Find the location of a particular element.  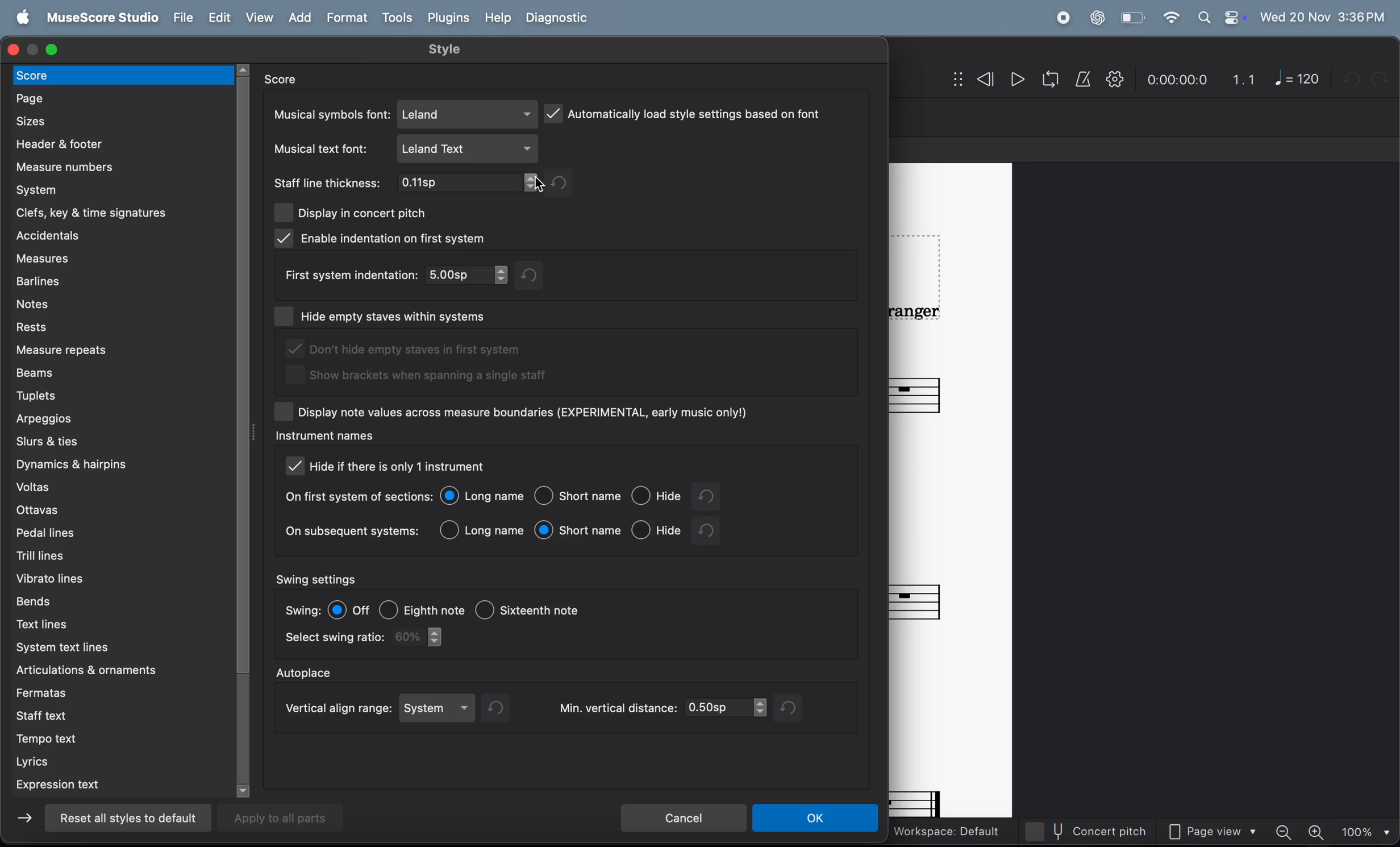

format is located at coordinates (349, 18).